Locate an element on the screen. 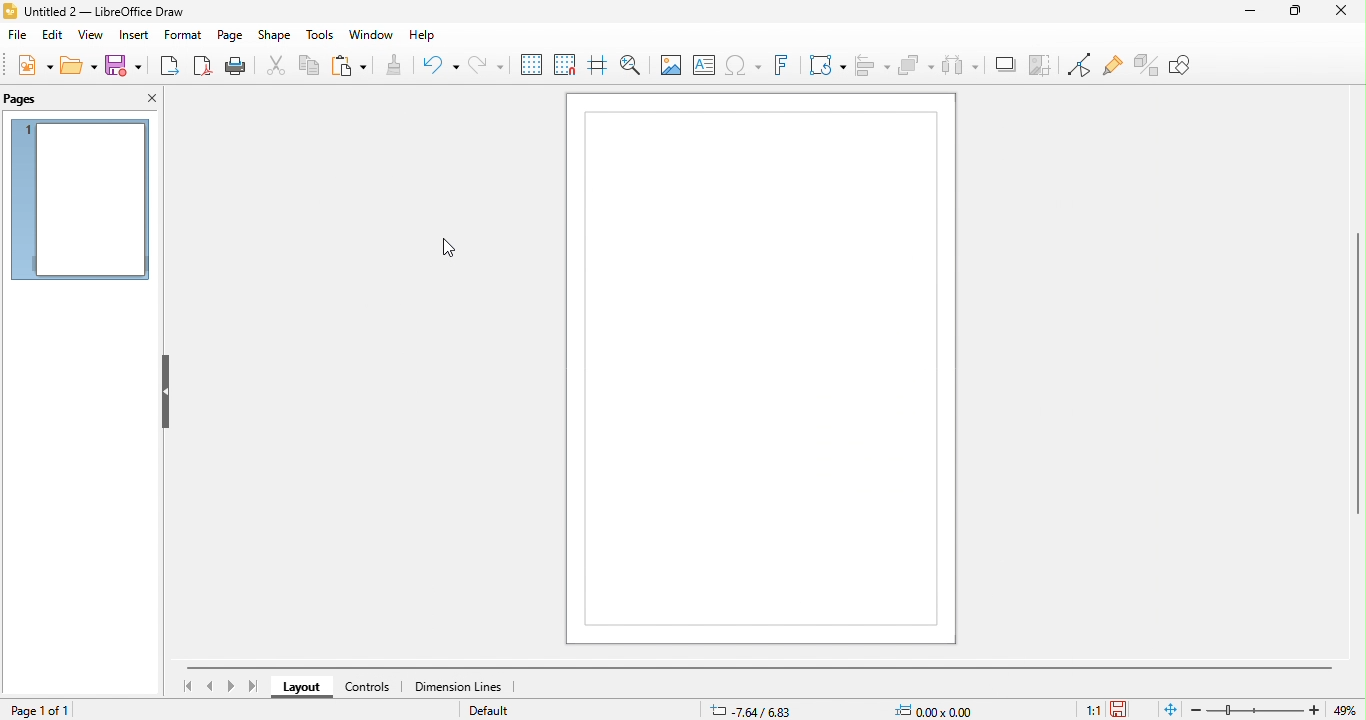 Image resolution: width=1366 pixels, height=720 pixels. undo is located at coordinates (439, 66).